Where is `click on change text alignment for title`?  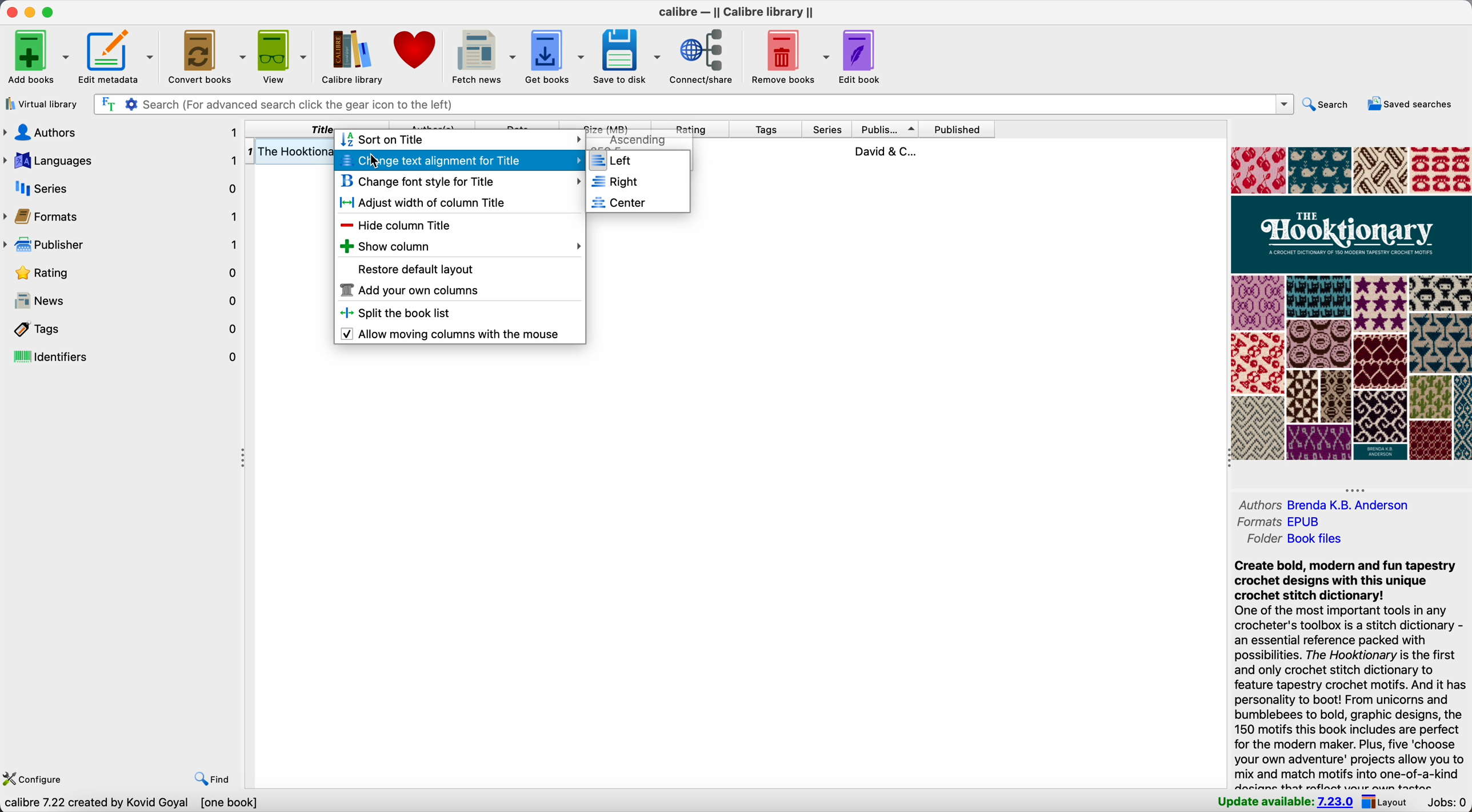
click on change text alignment for title is located at coordinates (459, 161).